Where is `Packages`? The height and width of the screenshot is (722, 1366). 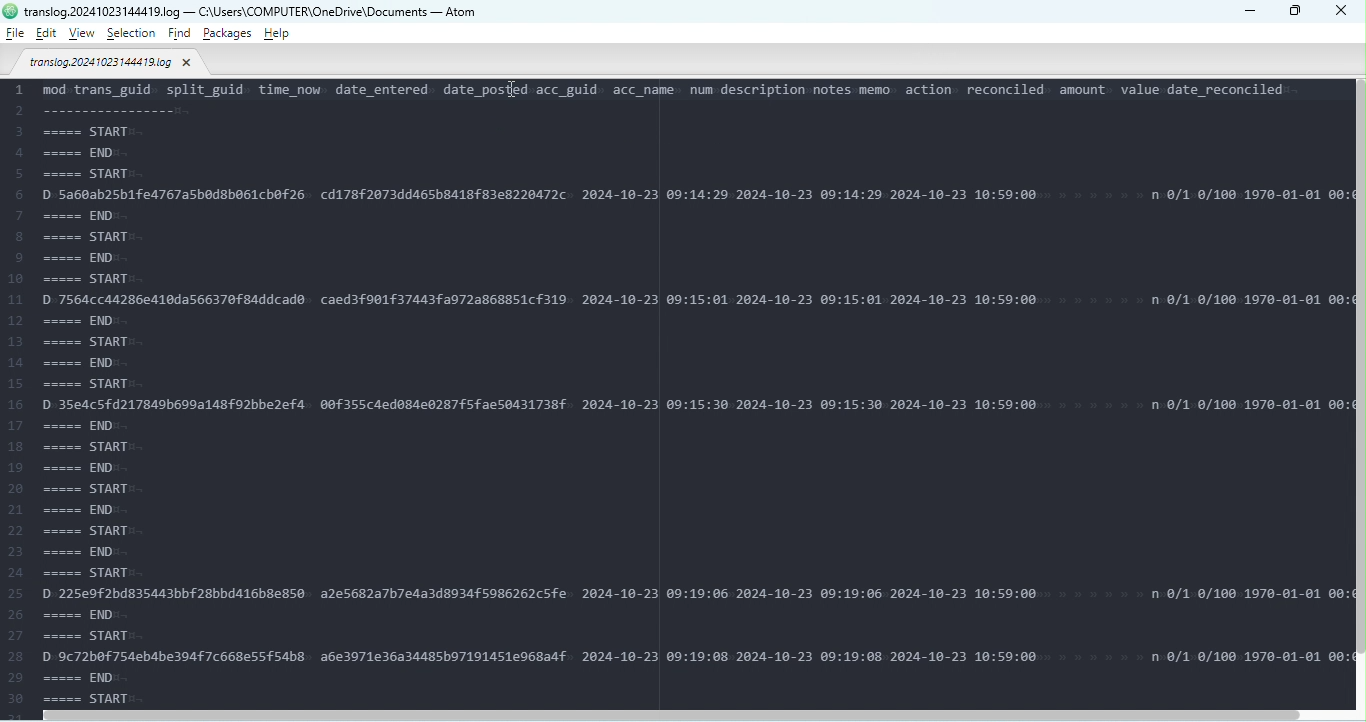
Packages is located at coordinates (229, 33).